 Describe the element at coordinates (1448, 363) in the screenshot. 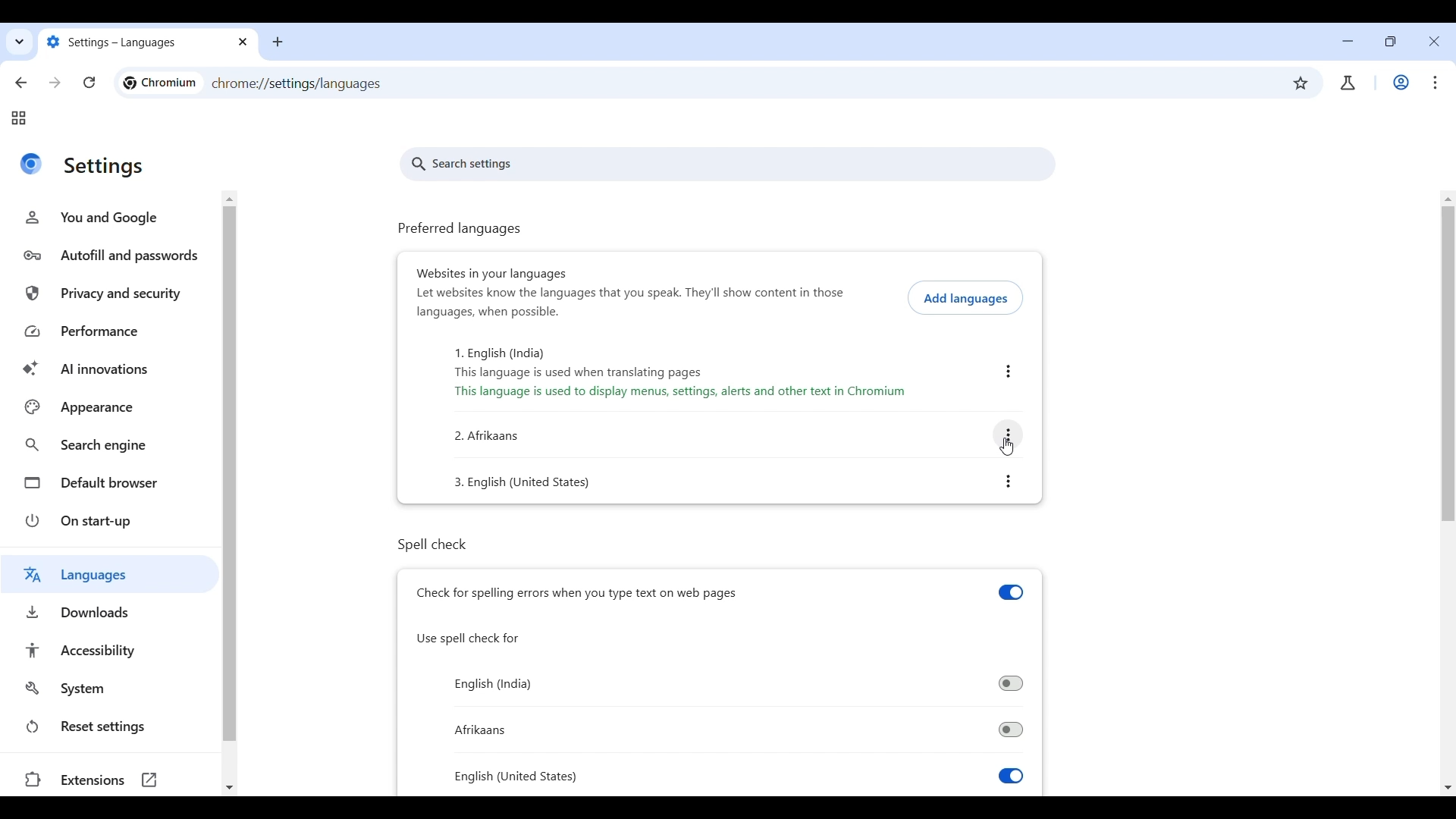

I see `Vertical slide bar` at that location.